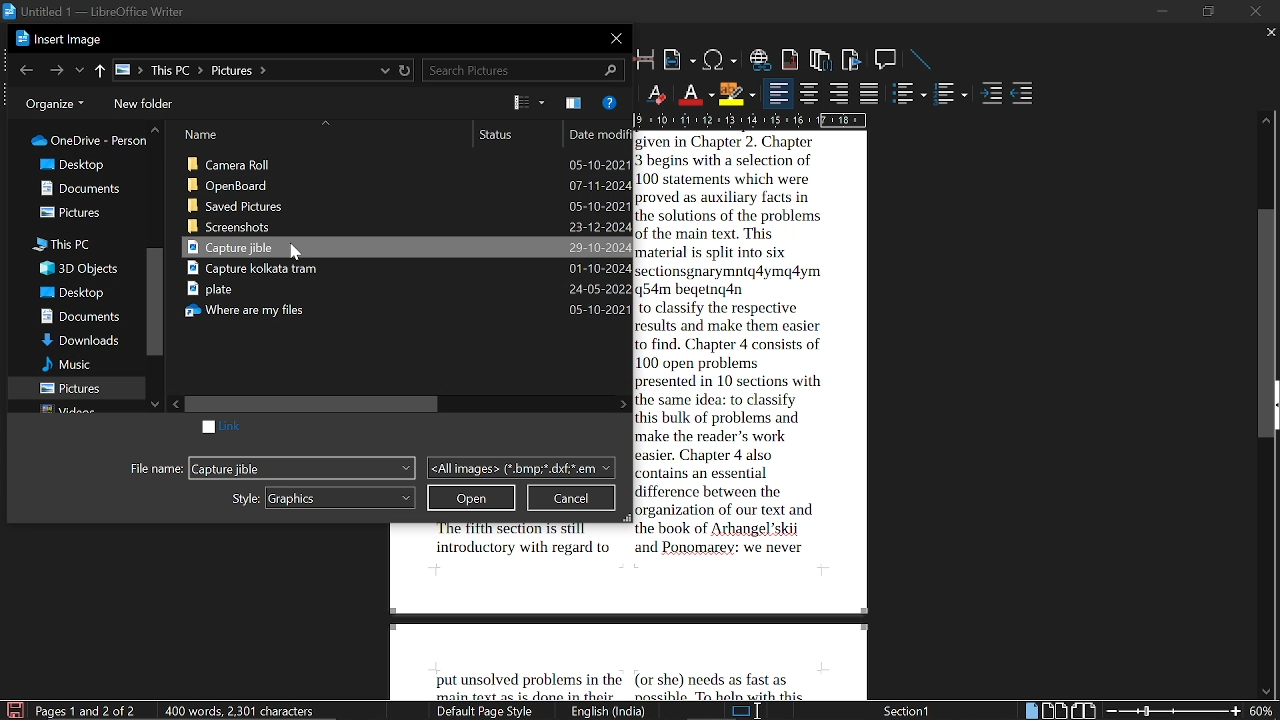 The width and height of the screenshot is (1280, 720). What do you see at coordinates (82, 142) in the screenshot?
I see `folders` at bounding box center [82, 142].